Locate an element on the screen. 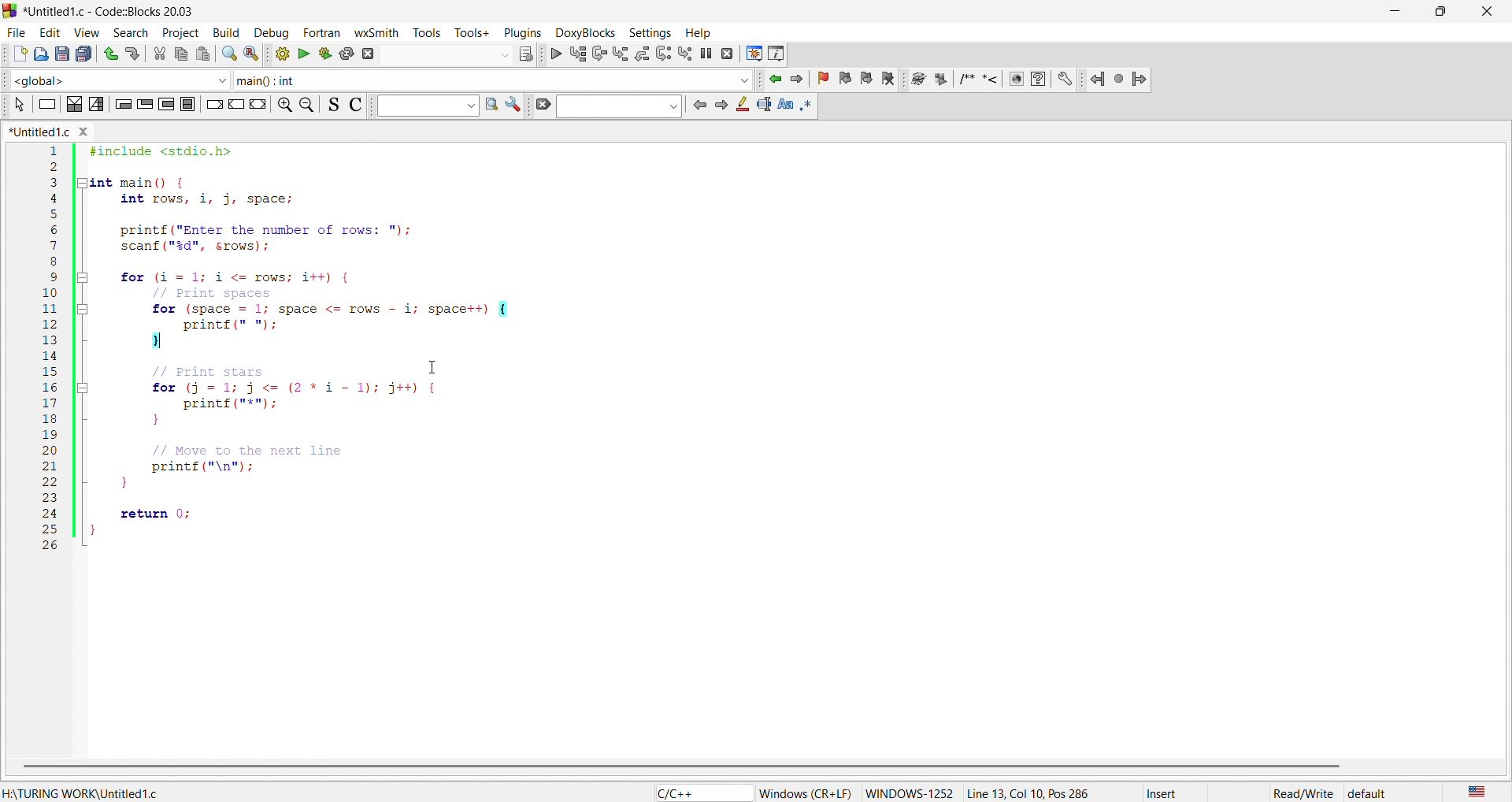  Extract is located at coordinates (939, 80).